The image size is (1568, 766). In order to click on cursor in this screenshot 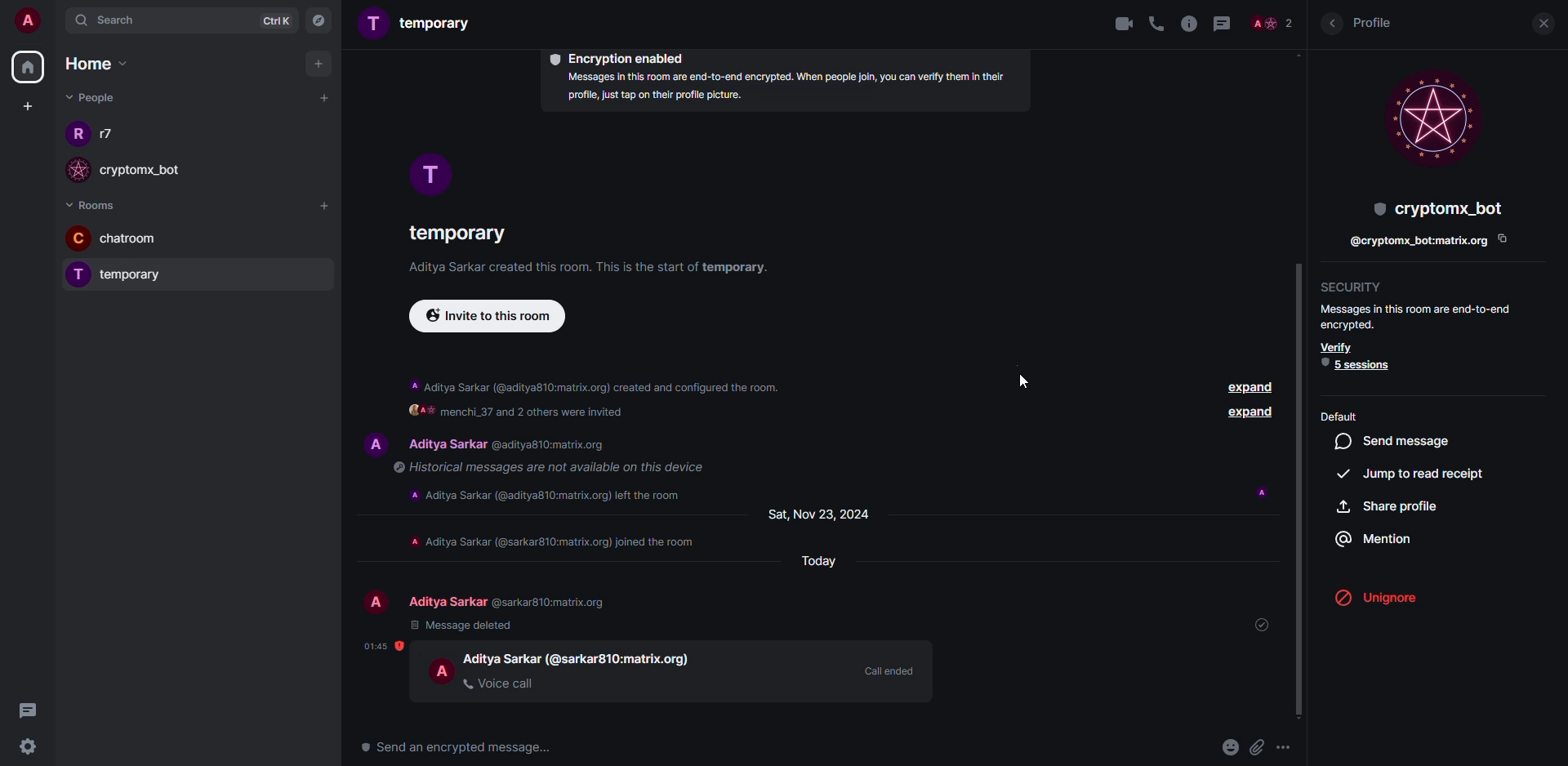, I will do `click(1022, 376)`.